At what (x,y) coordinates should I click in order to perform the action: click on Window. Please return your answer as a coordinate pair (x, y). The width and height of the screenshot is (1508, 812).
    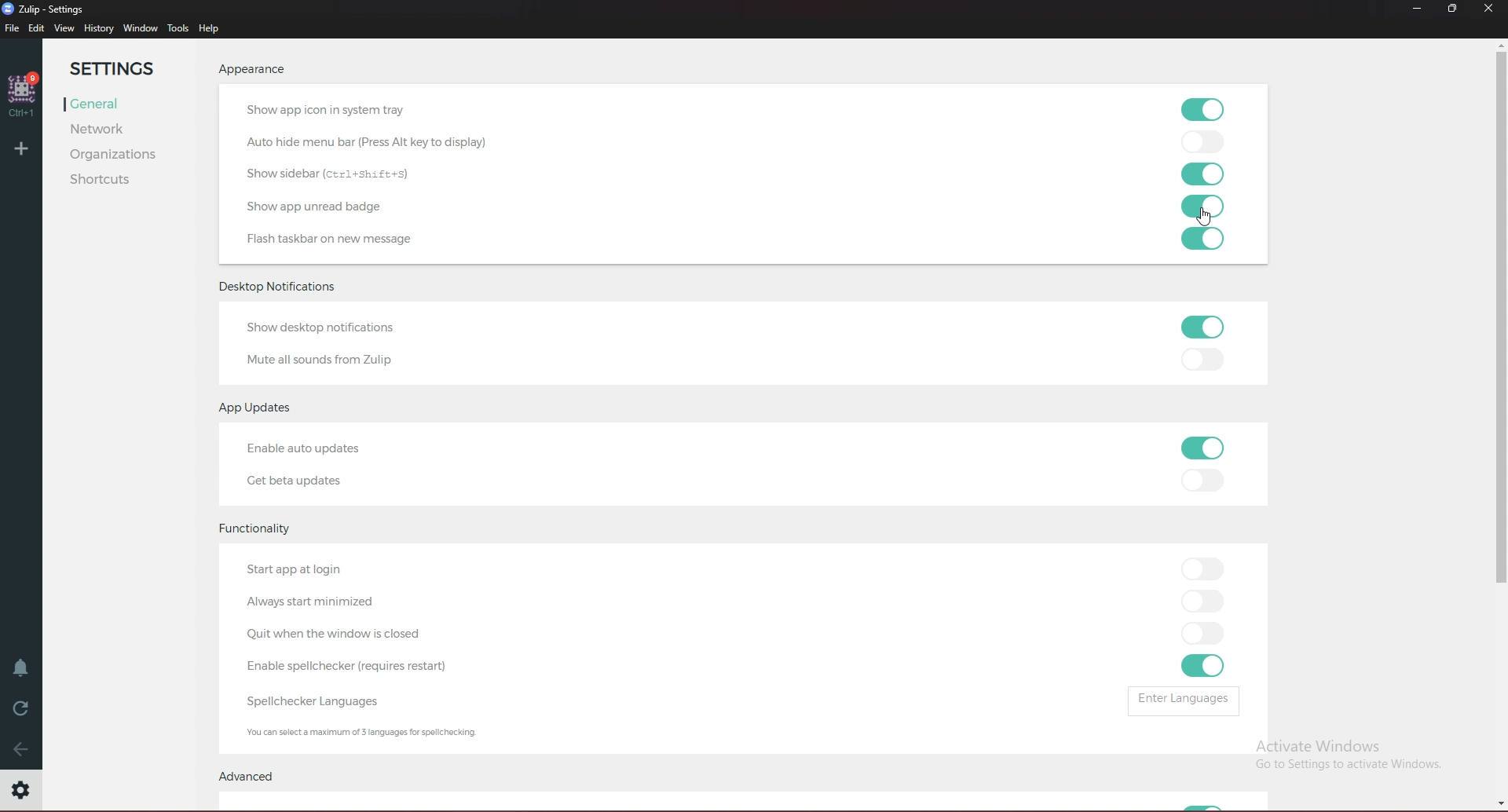
    Looking at the image, I should click on (141, 29).